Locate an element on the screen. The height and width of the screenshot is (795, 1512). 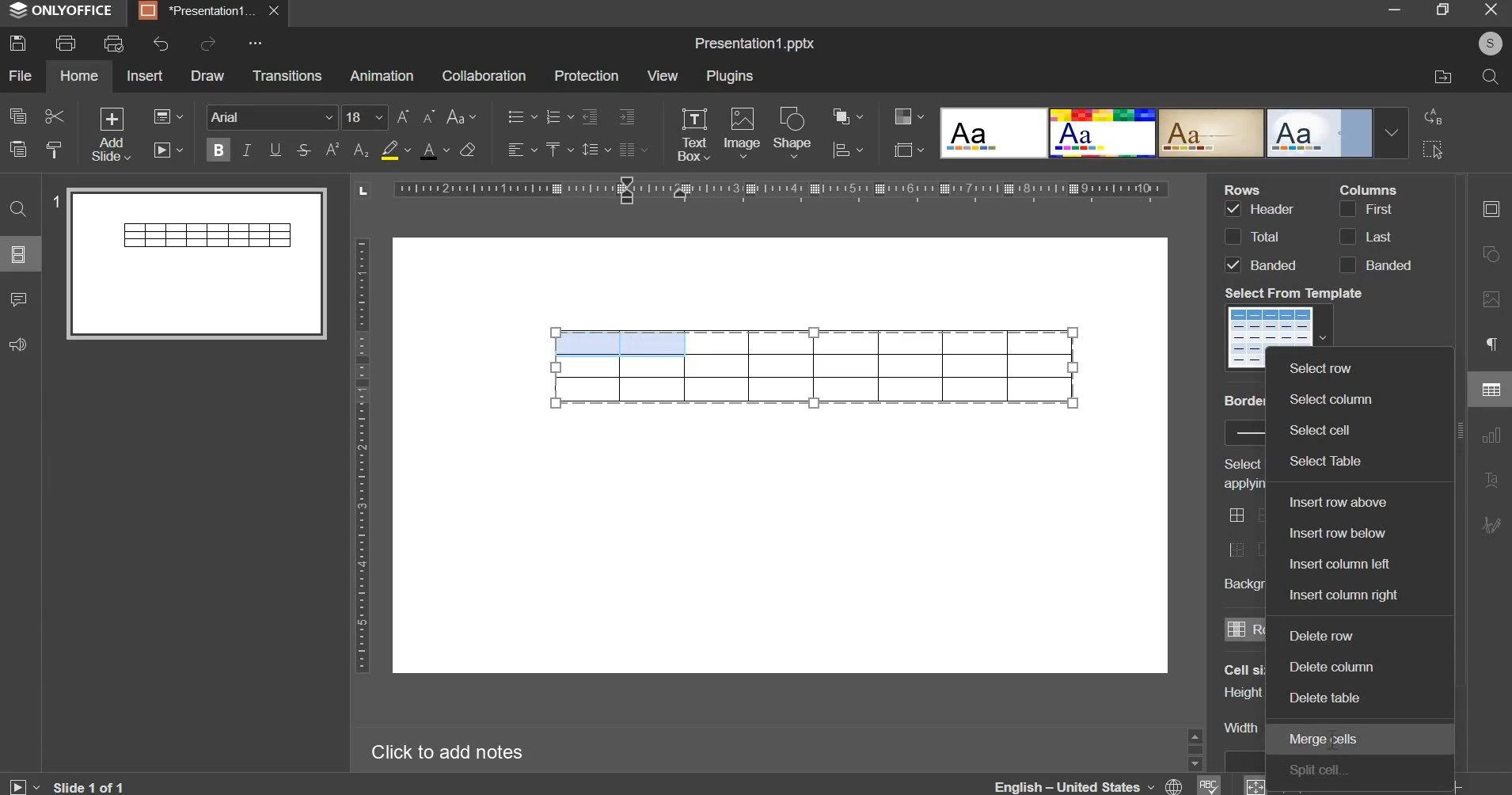
home is located at coordinates (78, 75).